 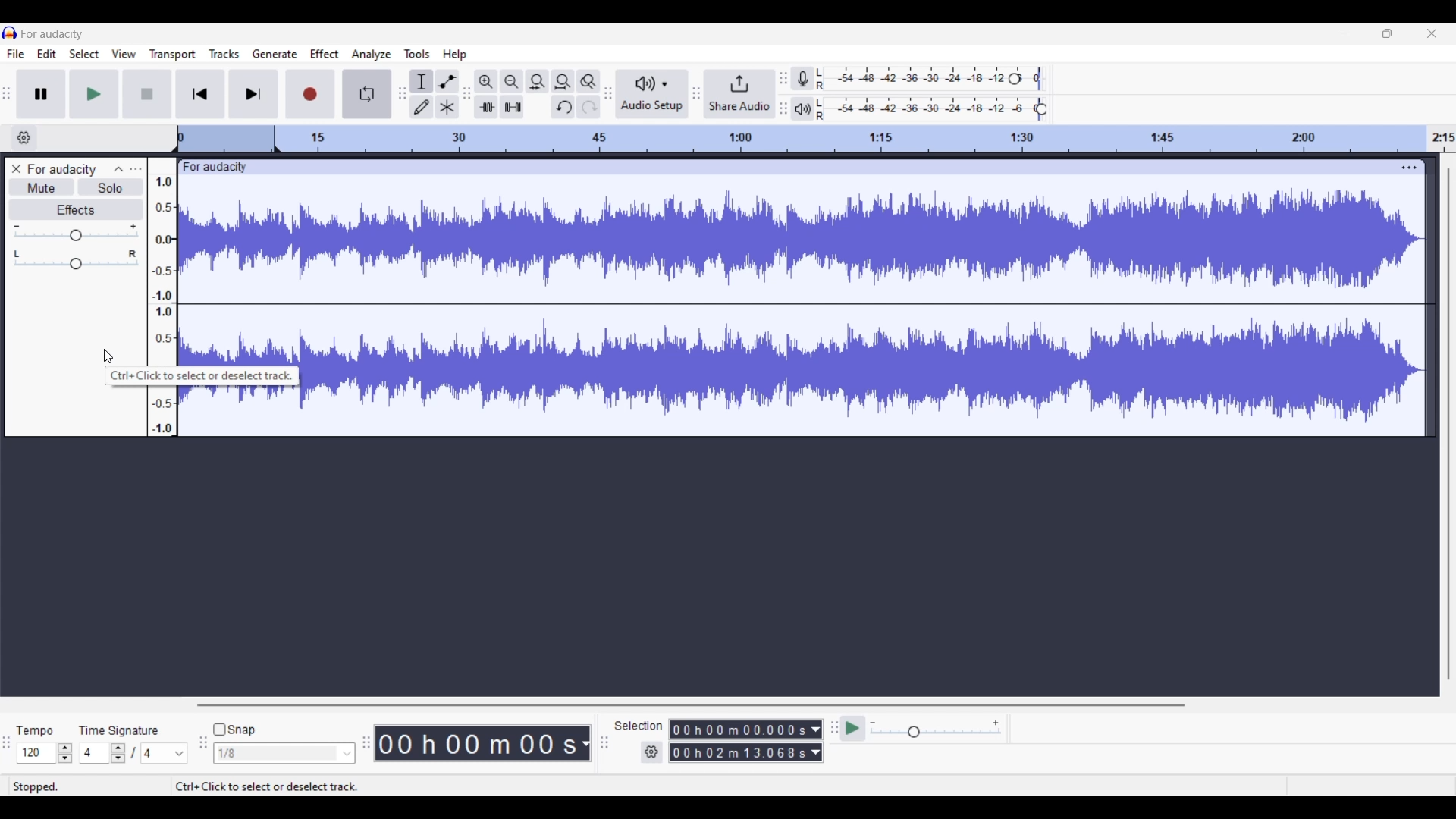 I want to click on Description of current selection, so click(x=275, y=787).